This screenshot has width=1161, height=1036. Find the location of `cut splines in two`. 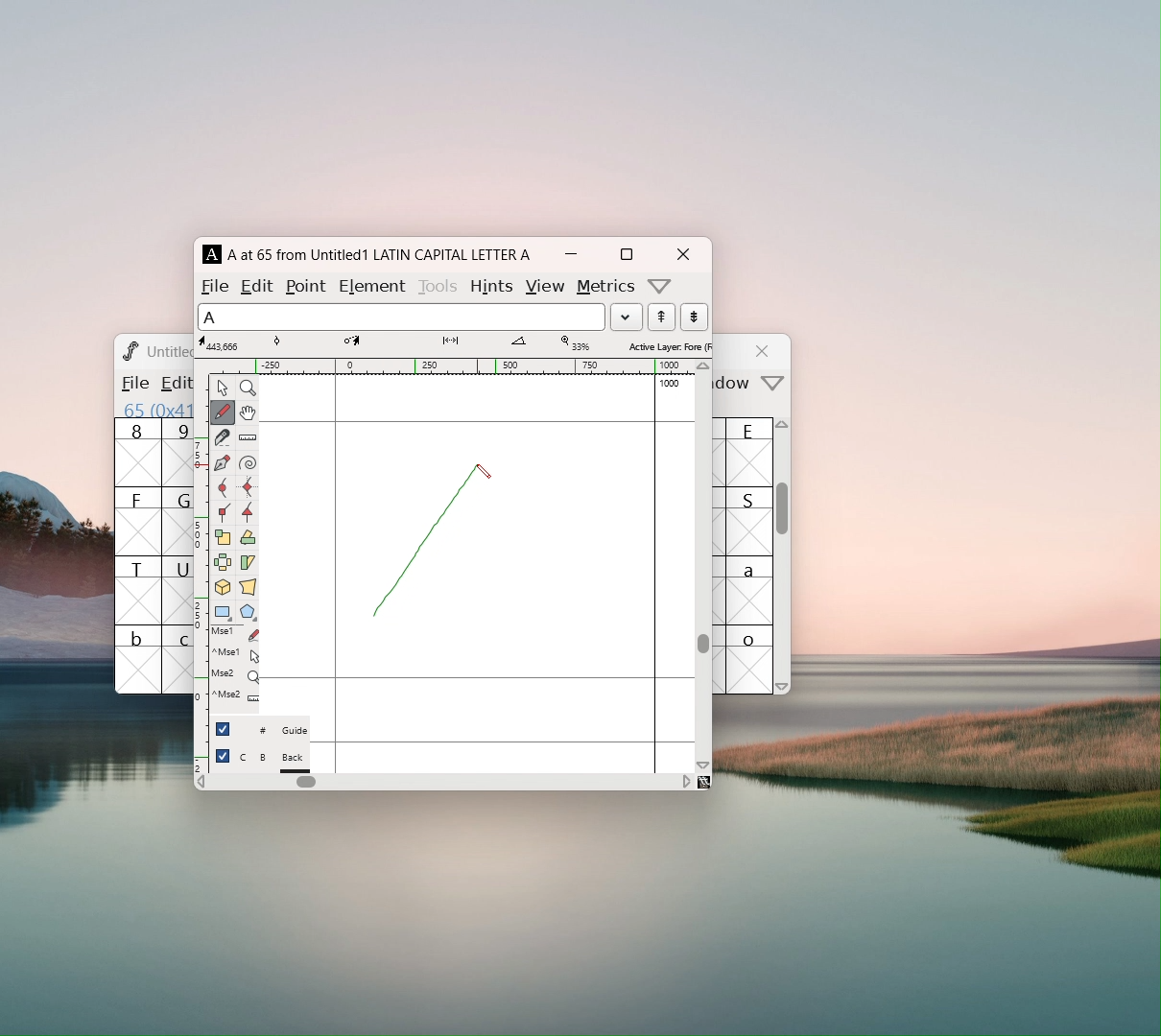

cut splines in two is located at coordinates (223, 439).